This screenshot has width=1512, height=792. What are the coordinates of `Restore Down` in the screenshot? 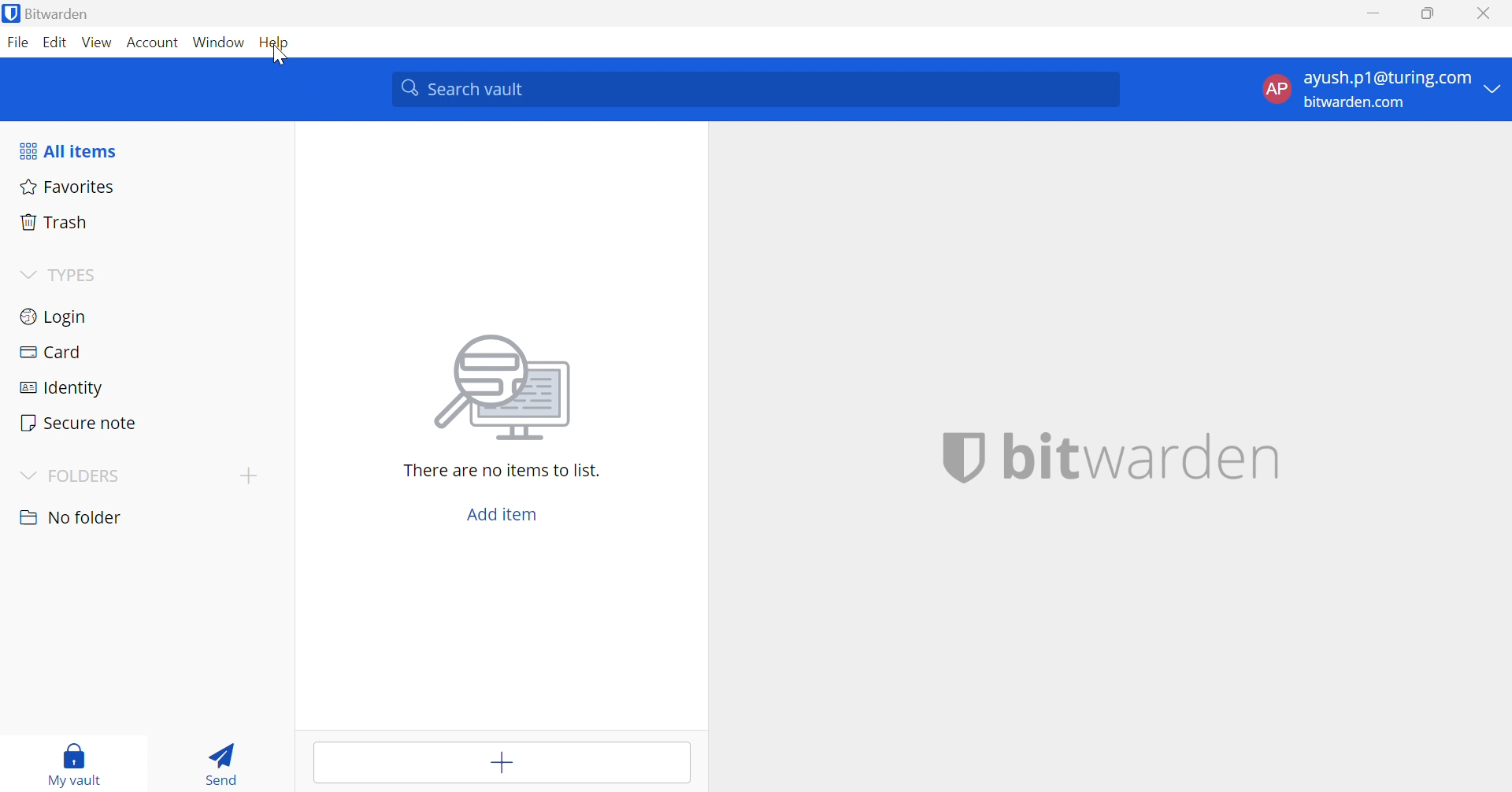 It's located at (1433, 13).